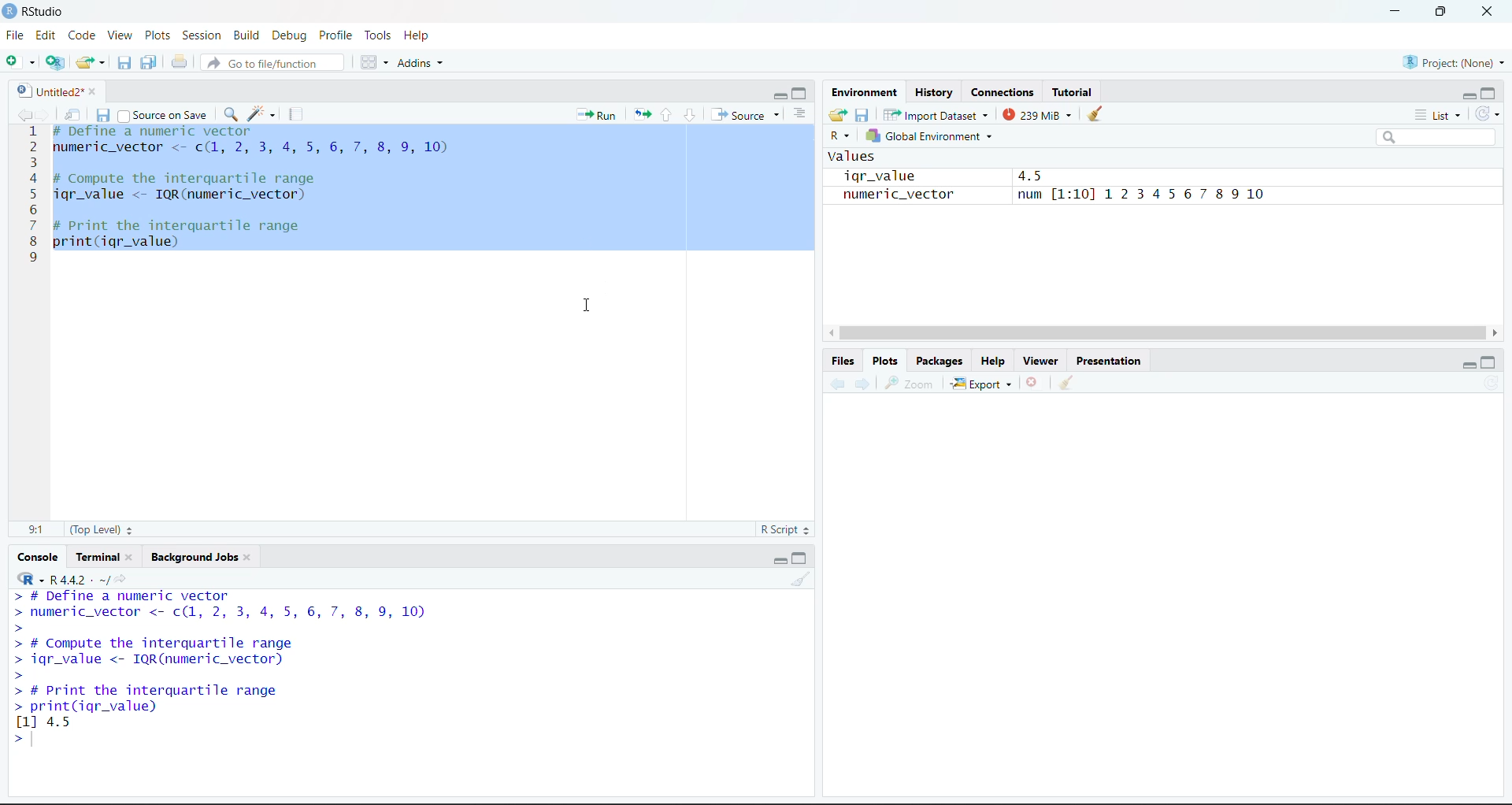  I want to click on Plots, so click(887, 360).